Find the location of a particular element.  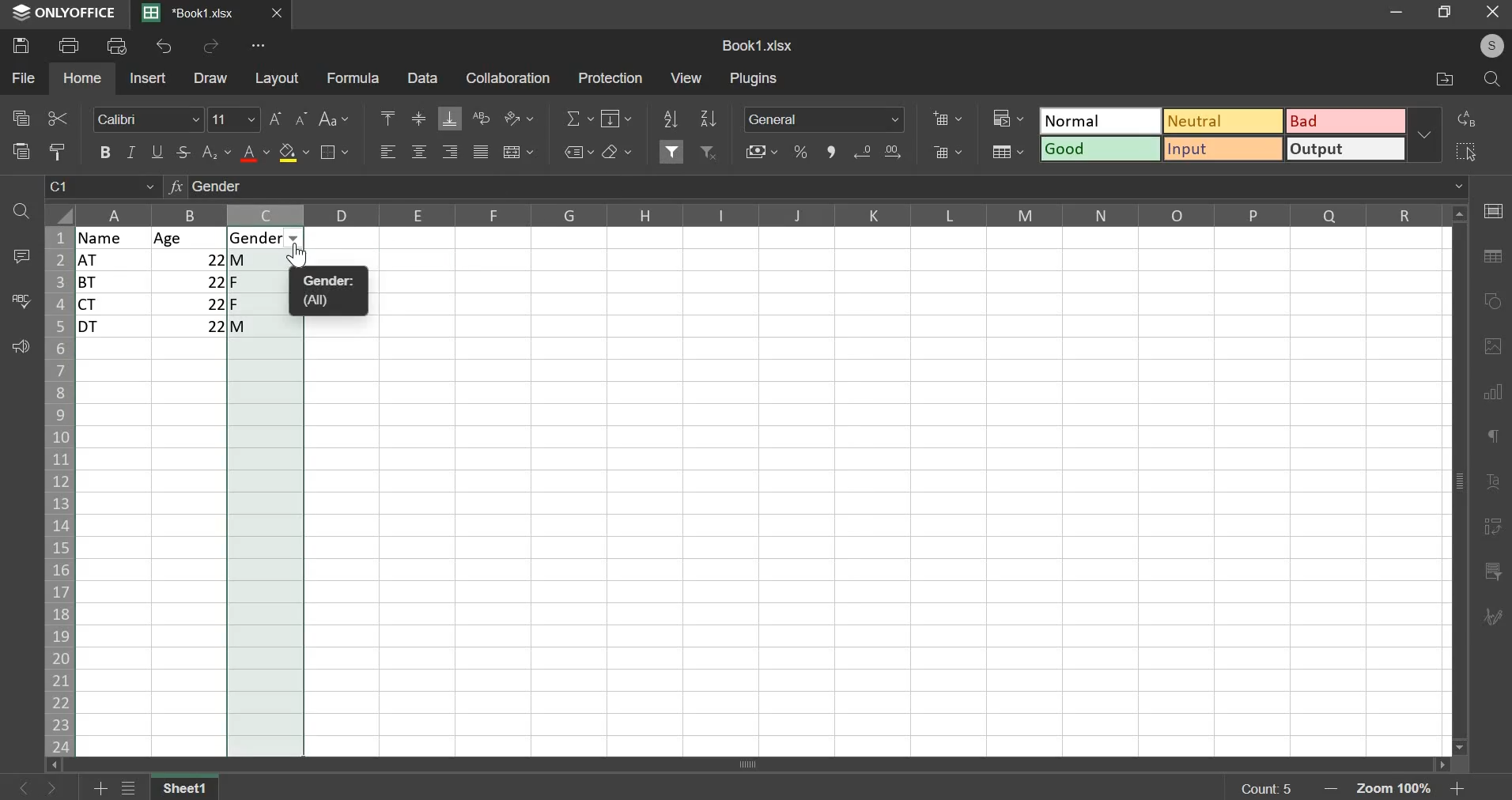

save is located at coordinates (20, 46).